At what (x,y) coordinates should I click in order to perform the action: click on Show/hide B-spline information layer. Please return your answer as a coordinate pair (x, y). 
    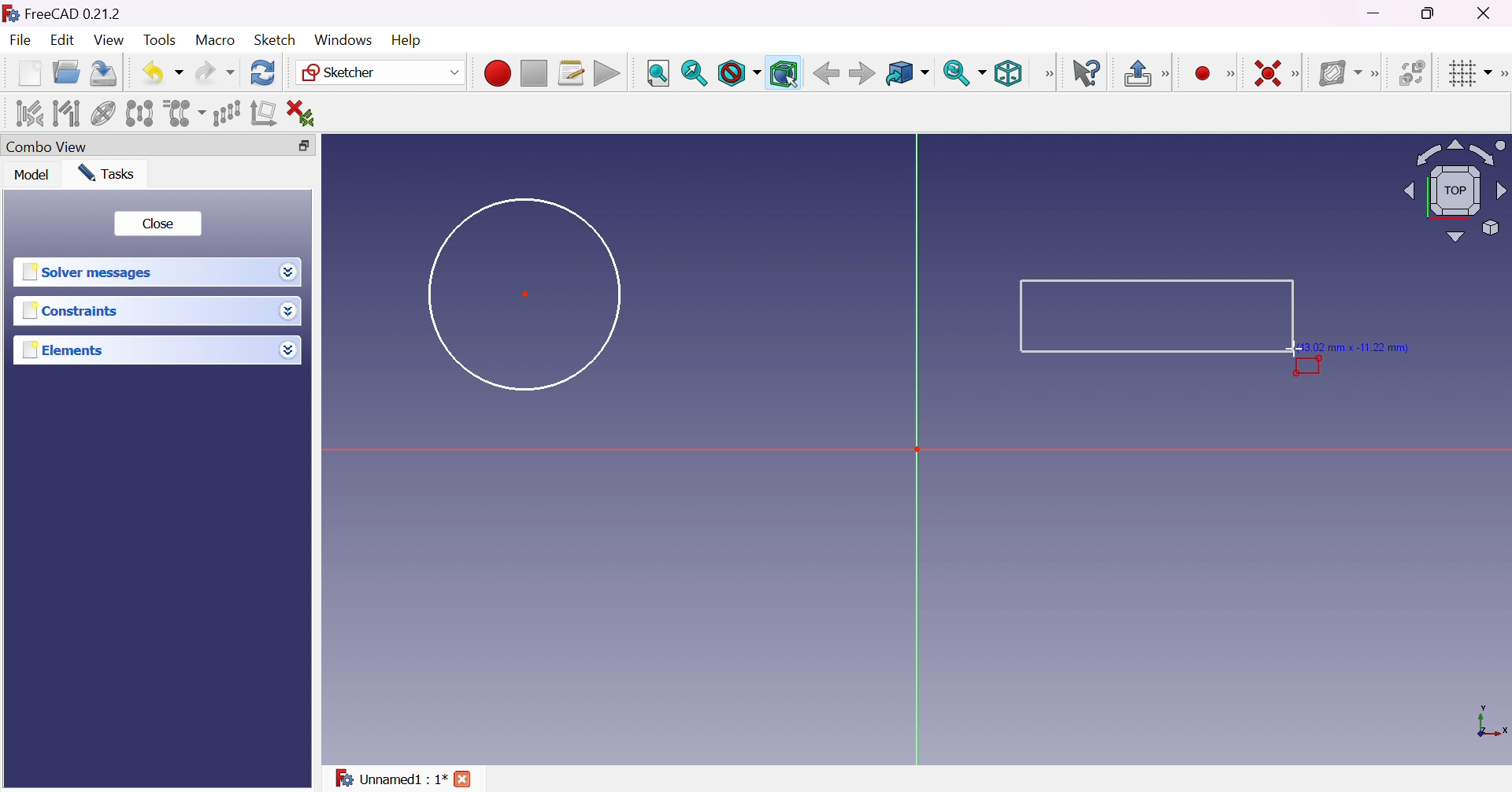
    Looking at the image, I should click on (1340, 72).